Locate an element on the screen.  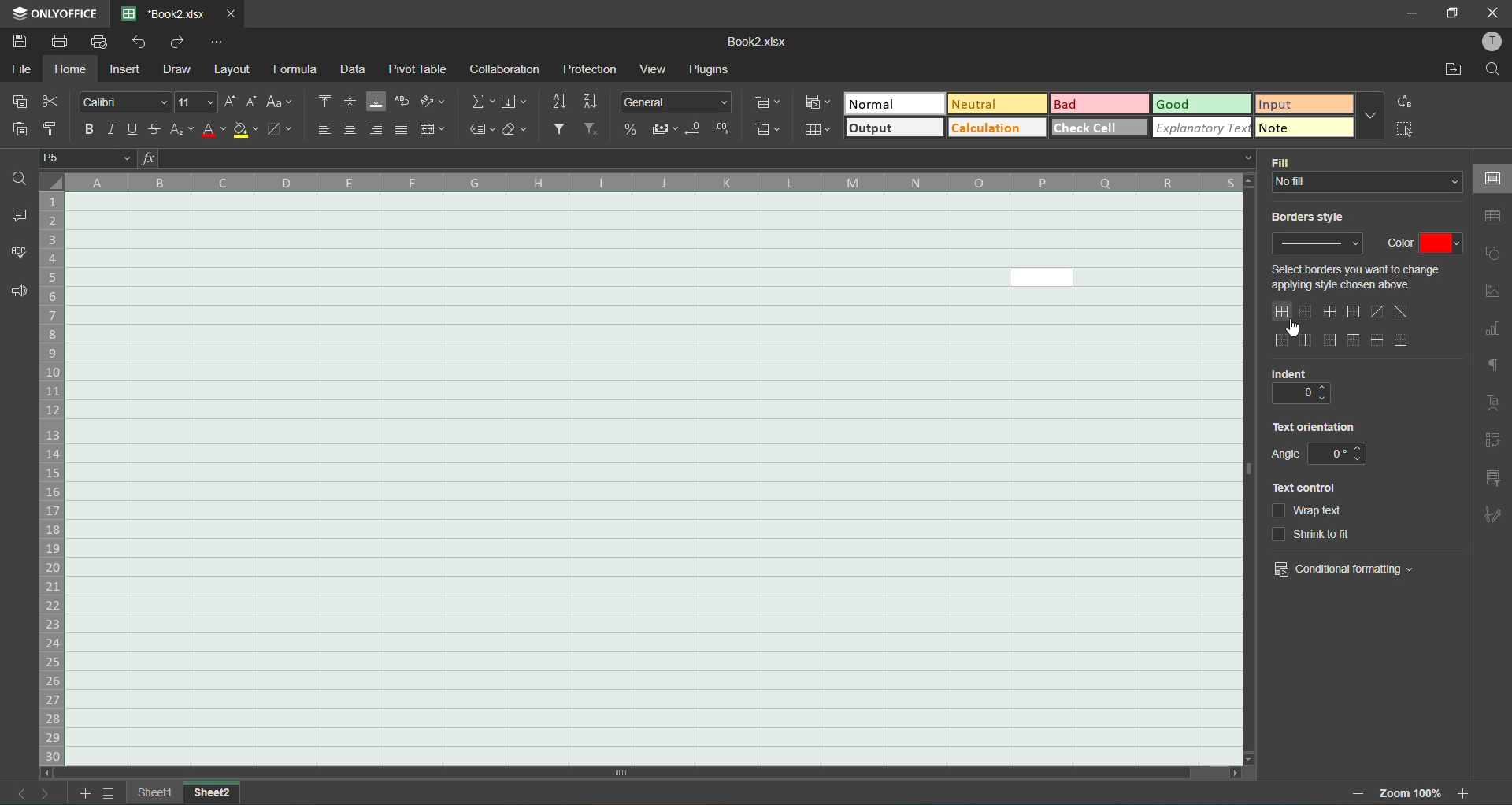
cut is located at coordinates (51, 103).